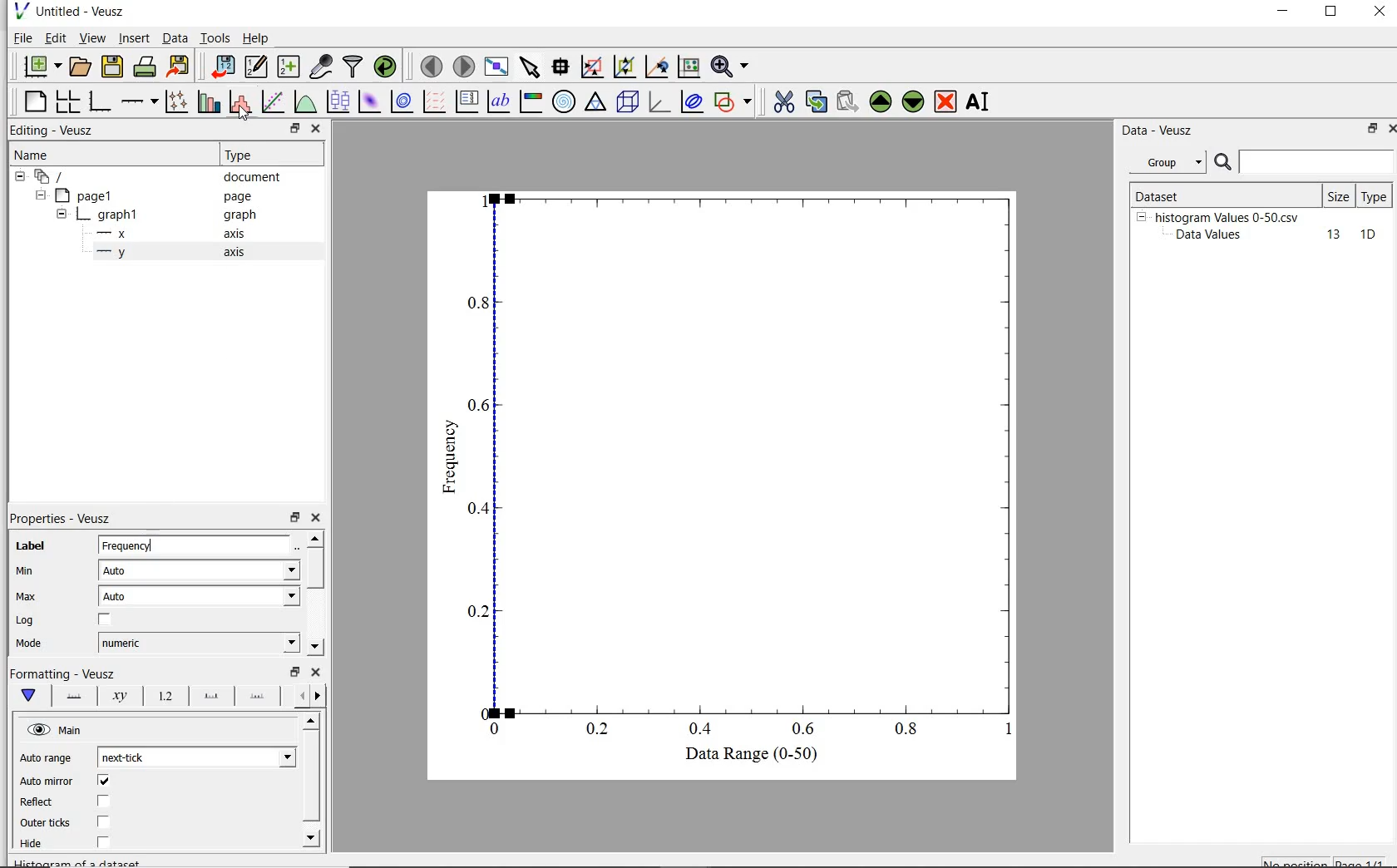  I want to click on plot key, so click(466, 101).